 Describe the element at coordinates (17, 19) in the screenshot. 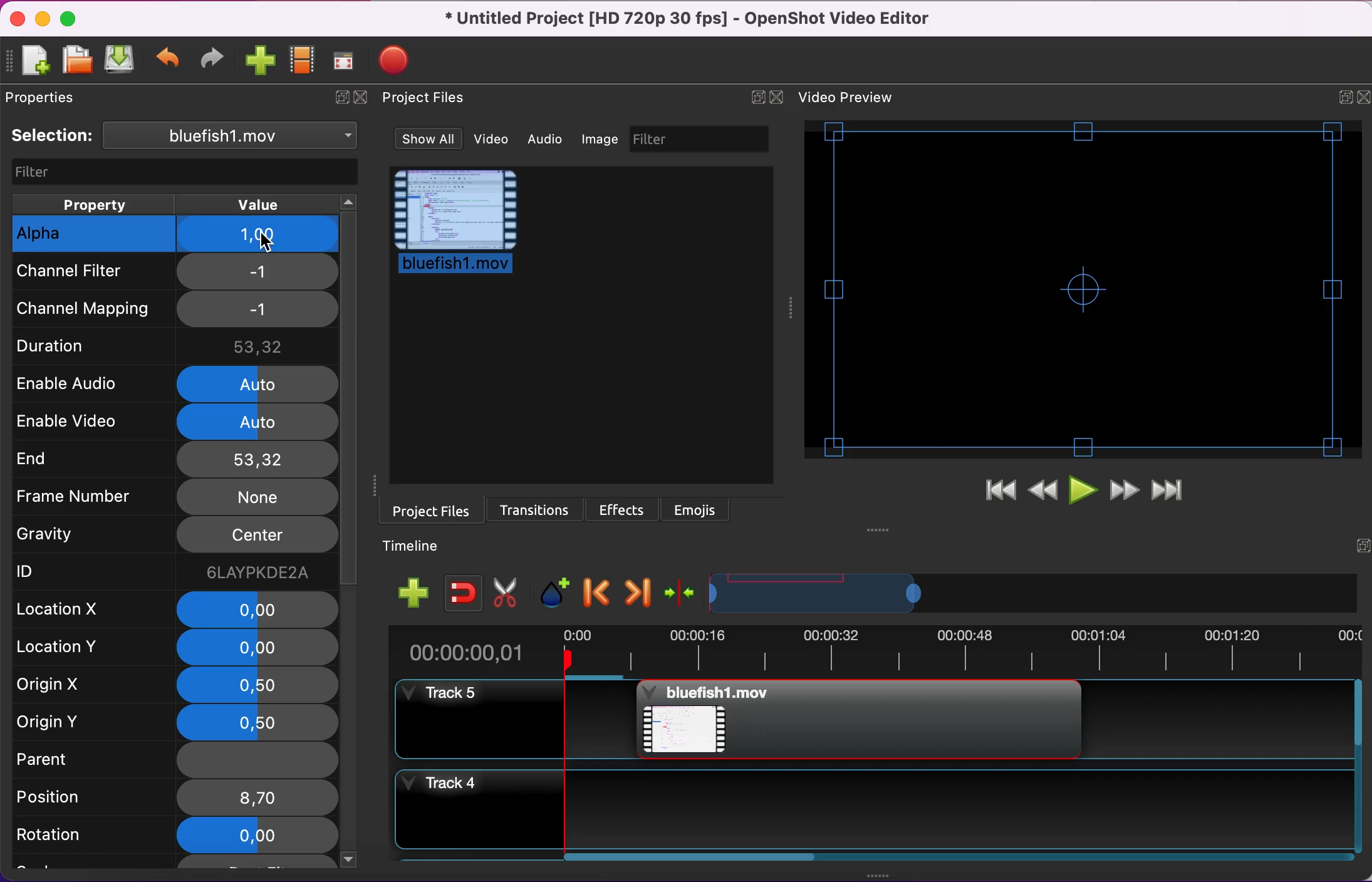

I see `close` at that location.